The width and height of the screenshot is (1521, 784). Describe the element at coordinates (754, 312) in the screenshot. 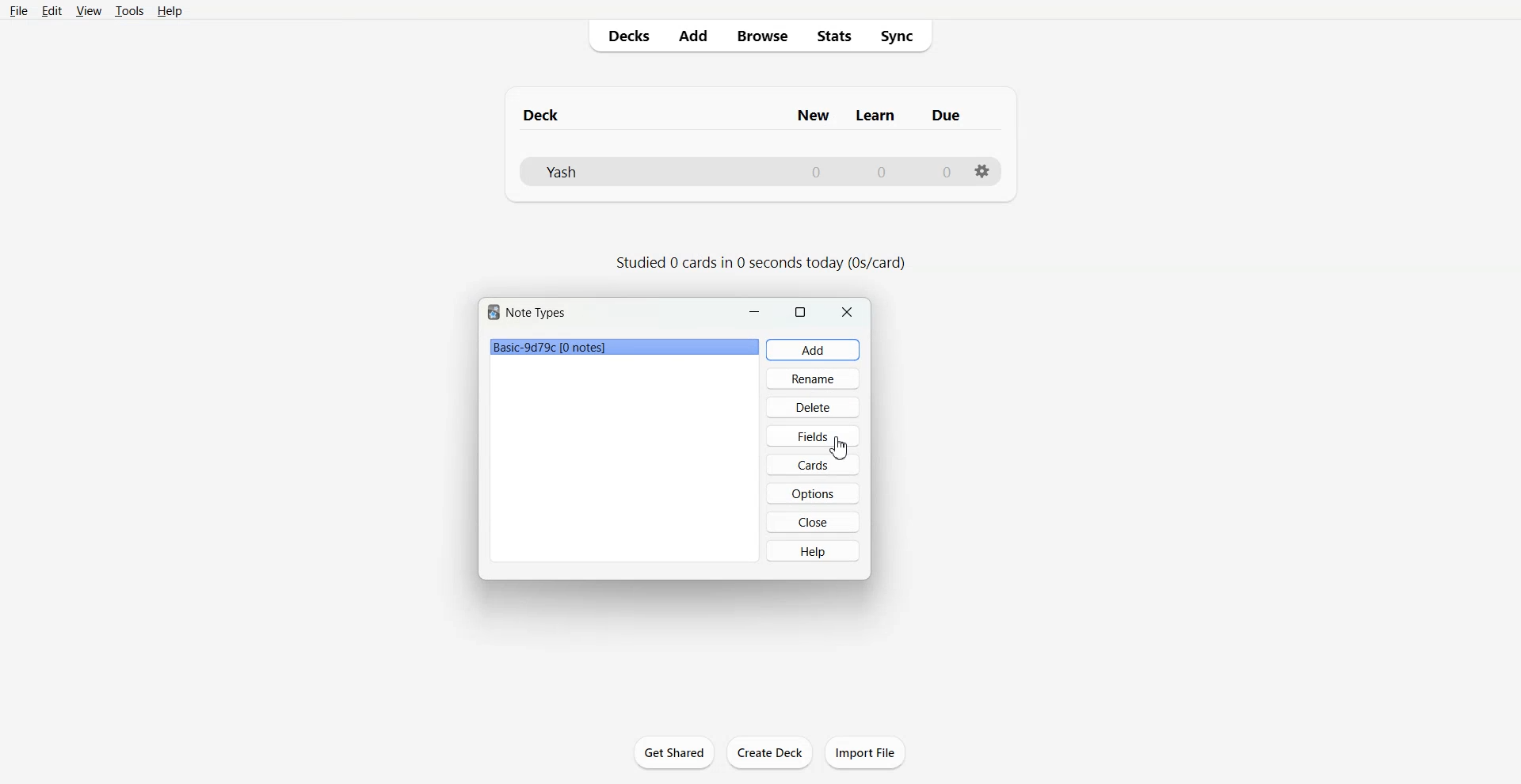

I see `Minimize` at that location.